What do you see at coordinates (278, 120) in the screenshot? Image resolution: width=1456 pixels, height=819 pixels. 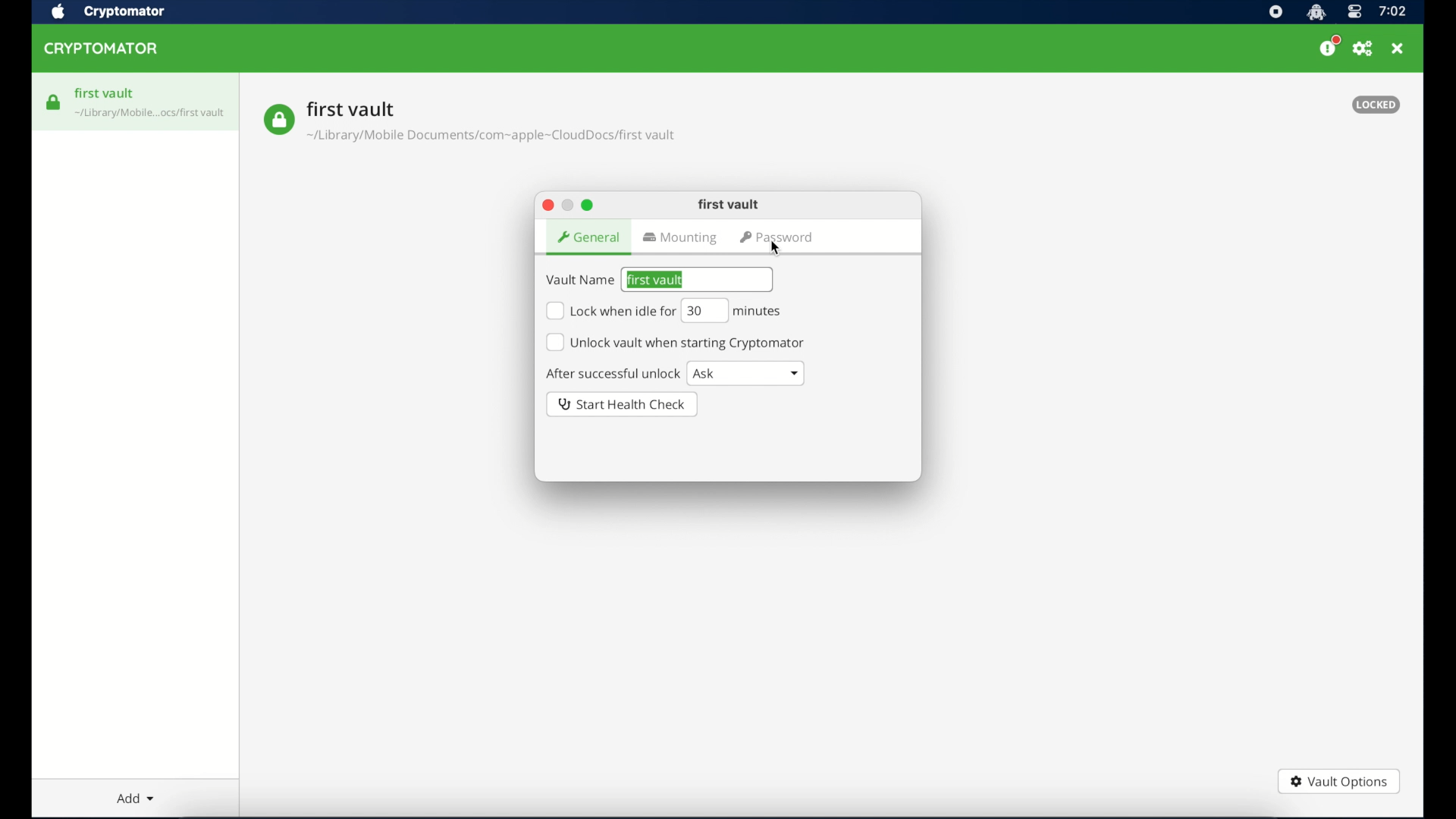 I see `vault icon` at bounding box center [278, 120].